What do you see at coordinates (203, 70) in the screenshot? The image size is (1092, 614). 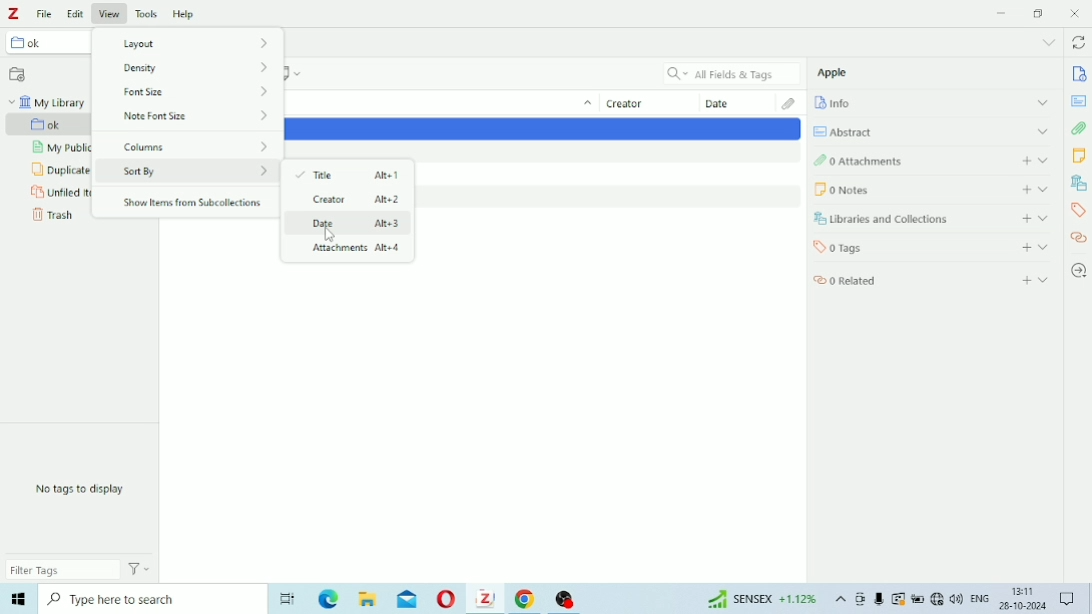 I see `Font size` at bounding box center [203, 70].